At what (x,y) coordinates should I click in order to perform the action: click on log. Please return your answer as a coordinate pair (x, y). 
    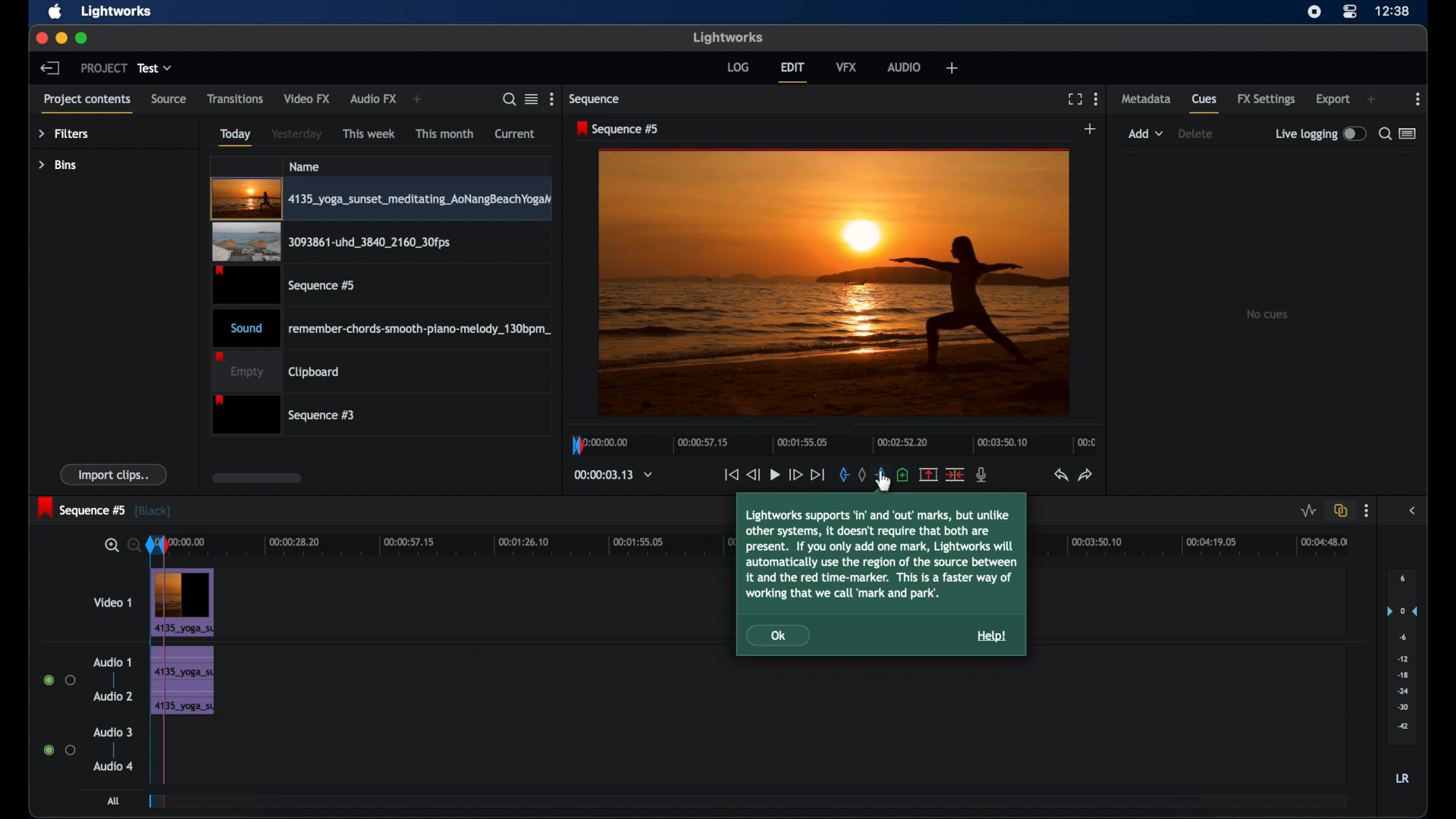
    Looking at the image, I should click on (738, 67).